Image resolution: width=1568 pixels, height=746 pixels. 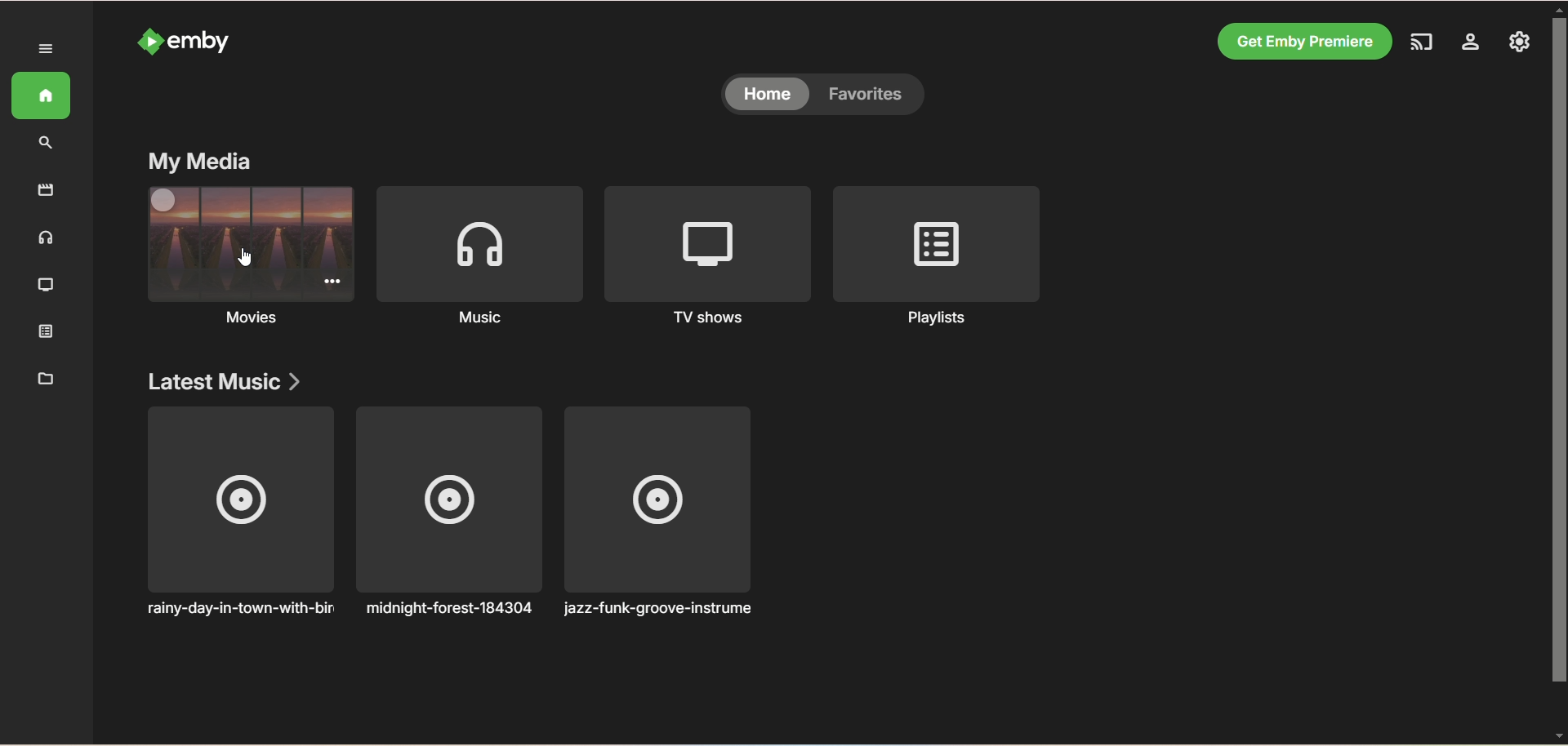 I want to click on get emby premiere, so click(x=1302, y=41).